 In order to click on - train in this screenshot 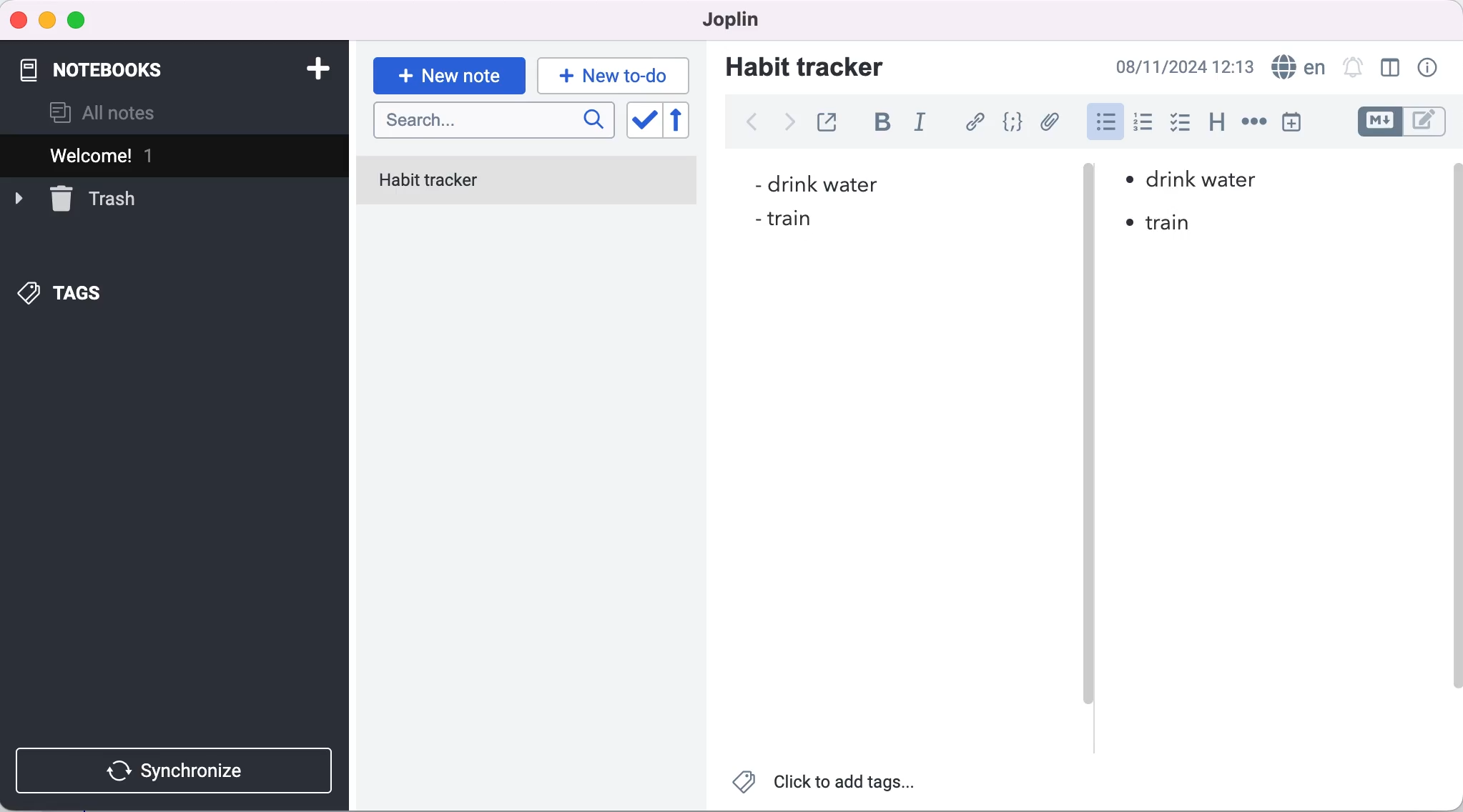, I will do `click(780, 220)`.